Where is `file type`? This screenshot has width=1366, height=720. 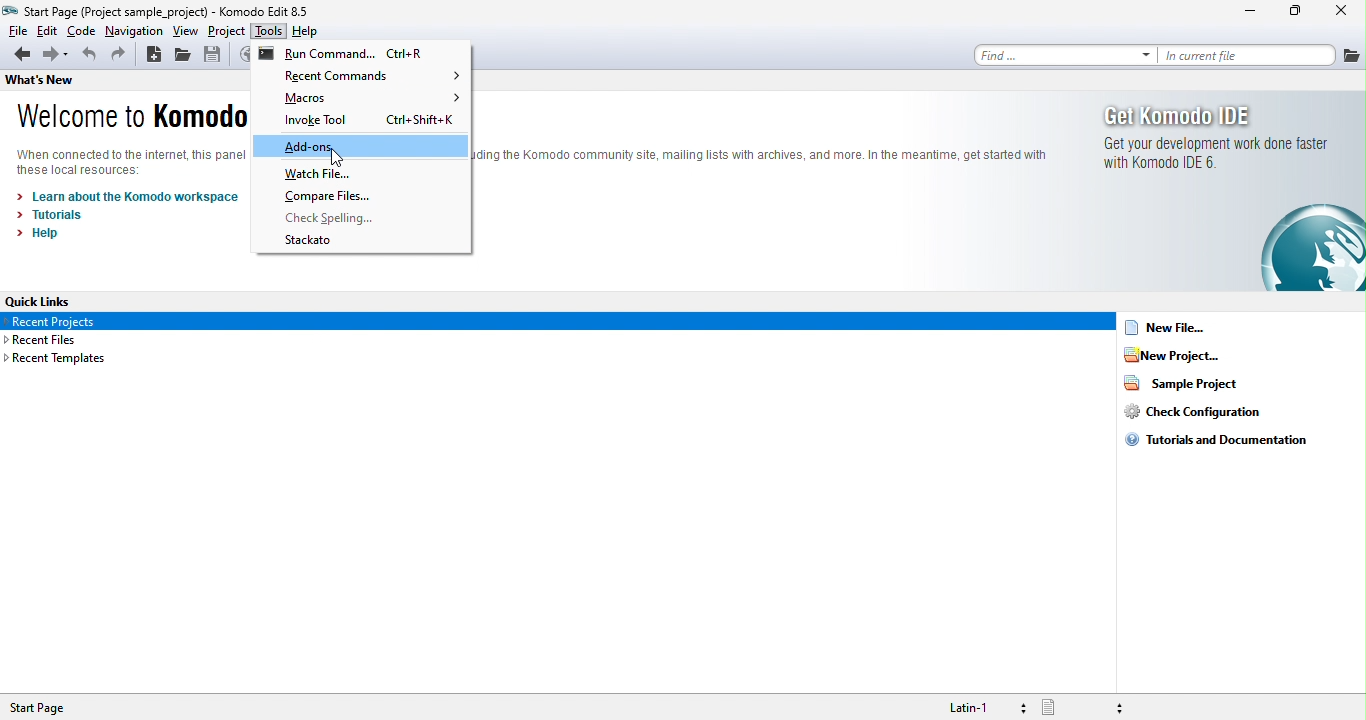 file type is located at coordinates (1086, 707).